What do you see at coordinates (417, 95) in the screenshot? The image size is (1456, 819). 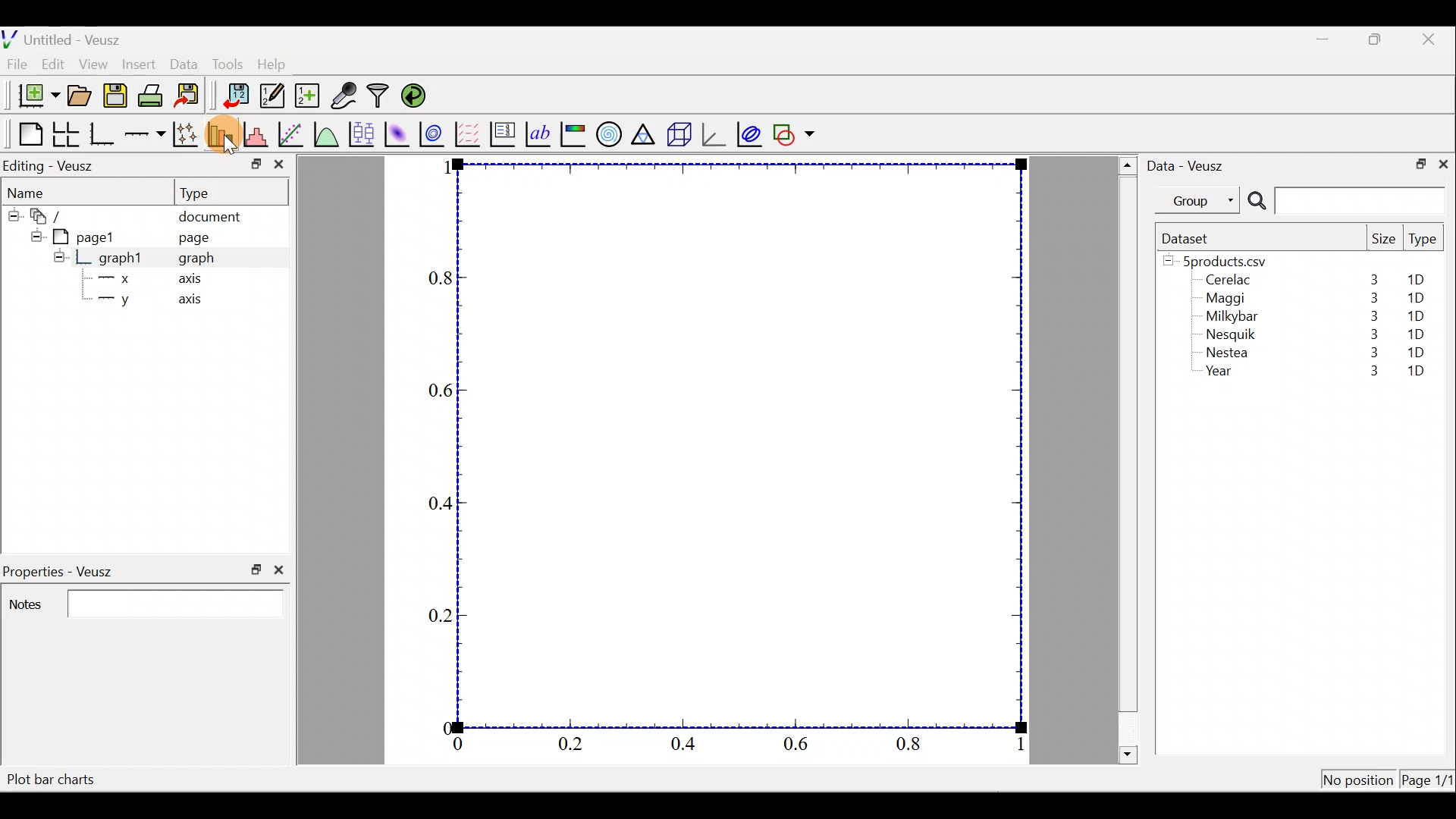 I see `Reload linked datasets` at bounding box center [417, 95].